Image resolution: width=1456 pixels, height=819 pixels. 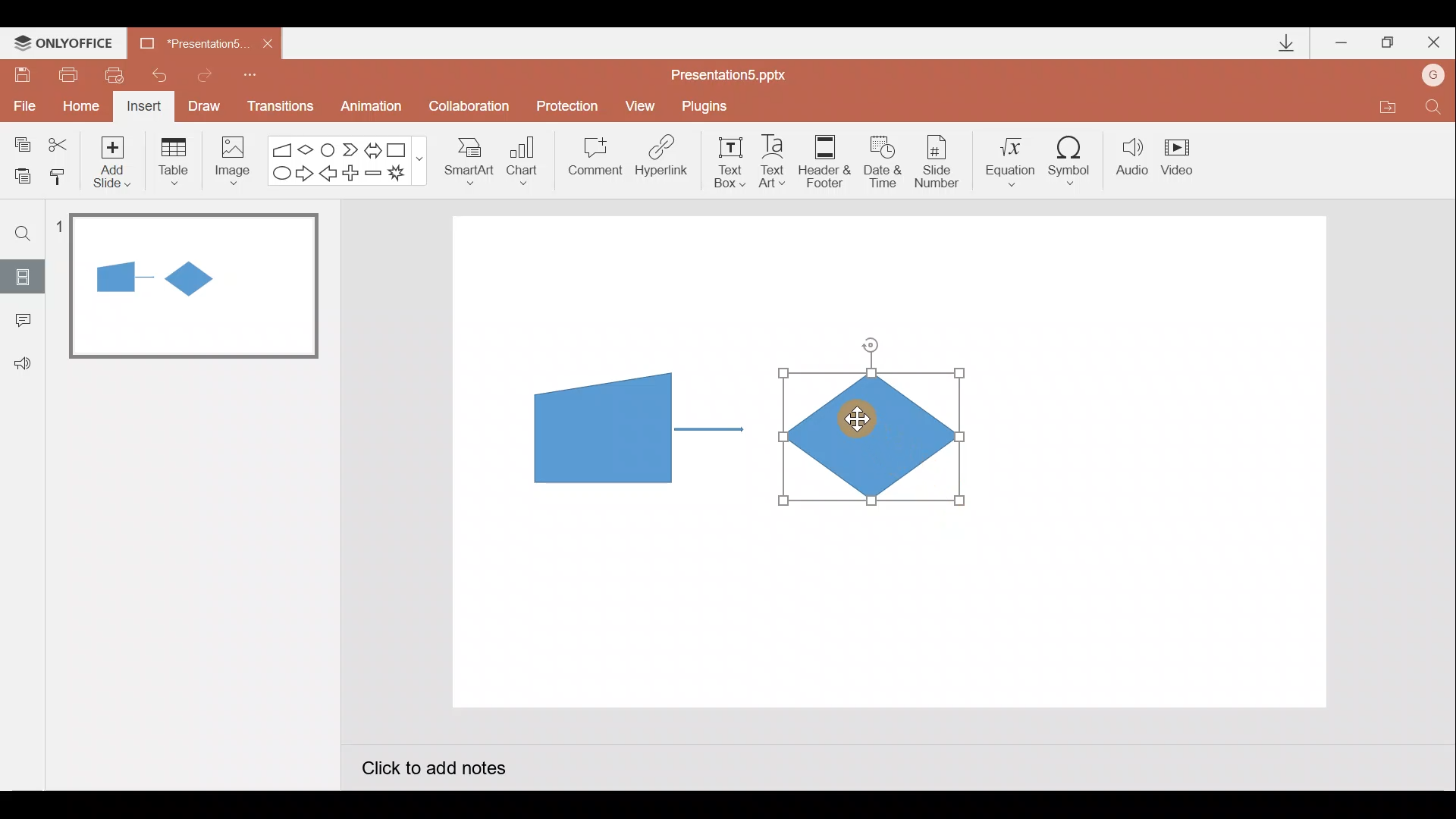 What do you see at coordinates (1388, 43) in the screenshot?
I see `Maximize` at bounding box center [1388, 43].